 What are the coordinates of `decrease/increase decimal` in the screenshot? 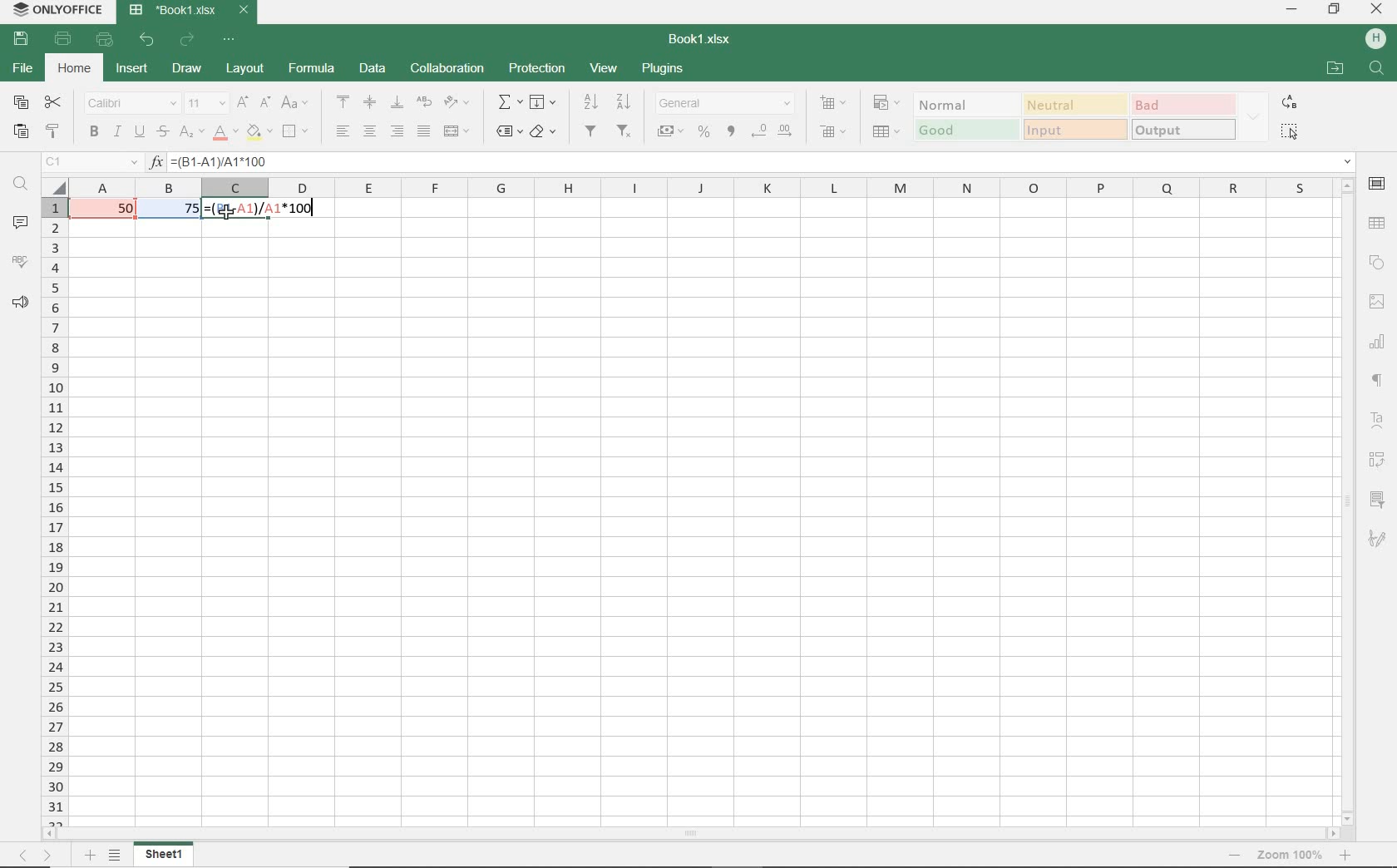 It's located at (774, 131).